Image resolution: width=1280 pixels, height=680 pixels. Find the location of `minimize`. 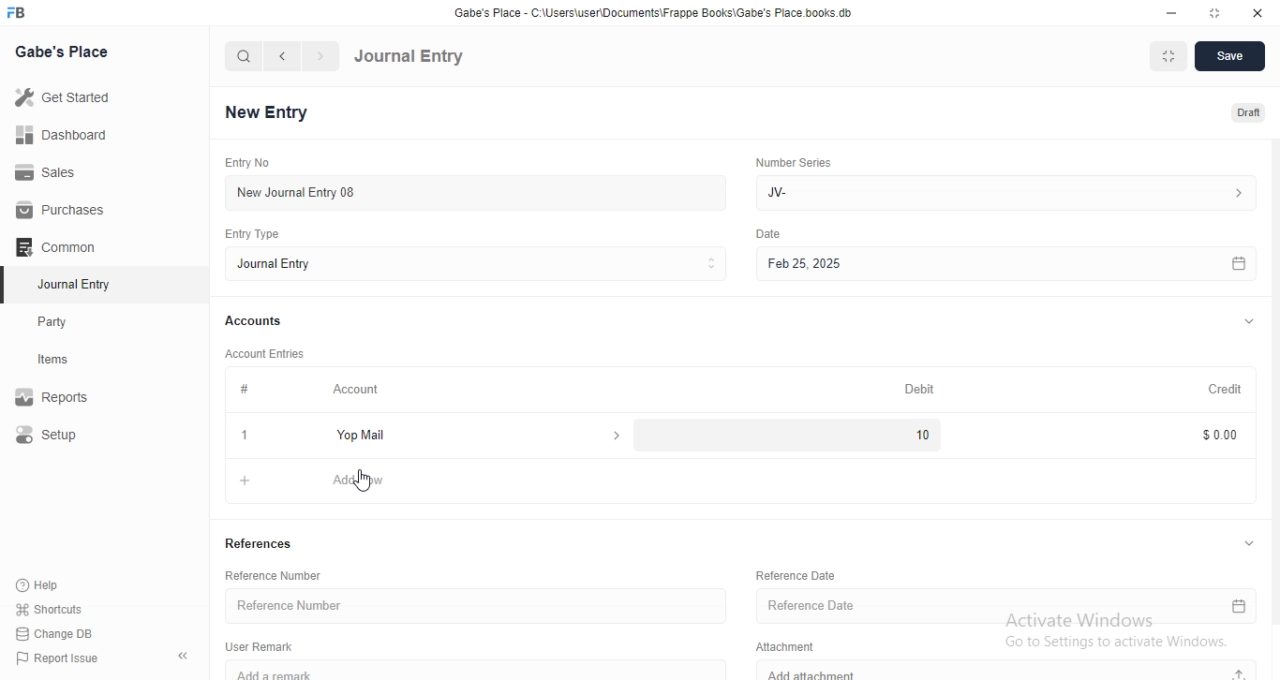

minimize is located at coordinates (1174, 11).